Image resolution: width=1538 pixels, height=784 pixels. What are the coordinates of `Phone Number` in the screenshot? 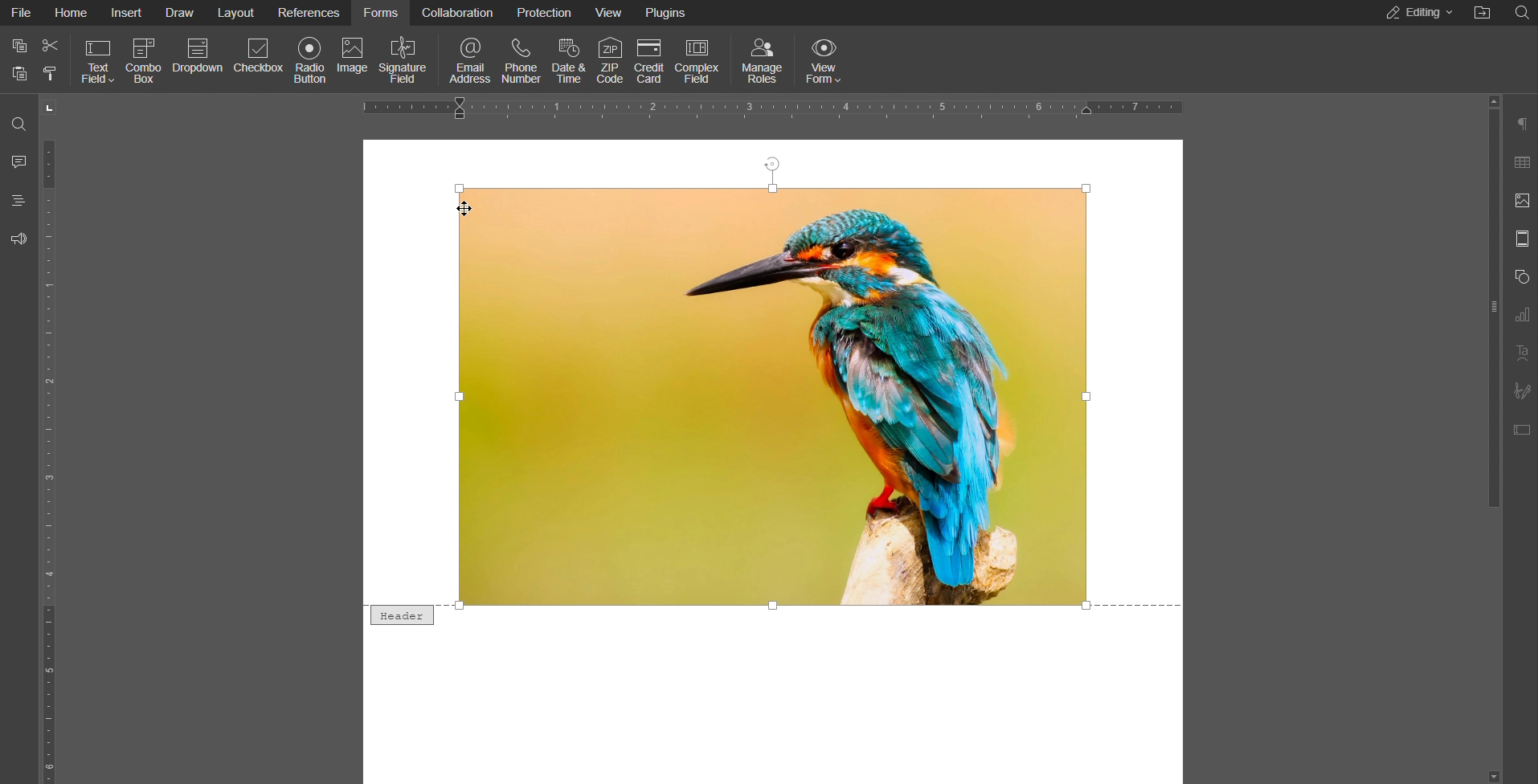 It's located at (521, 58).